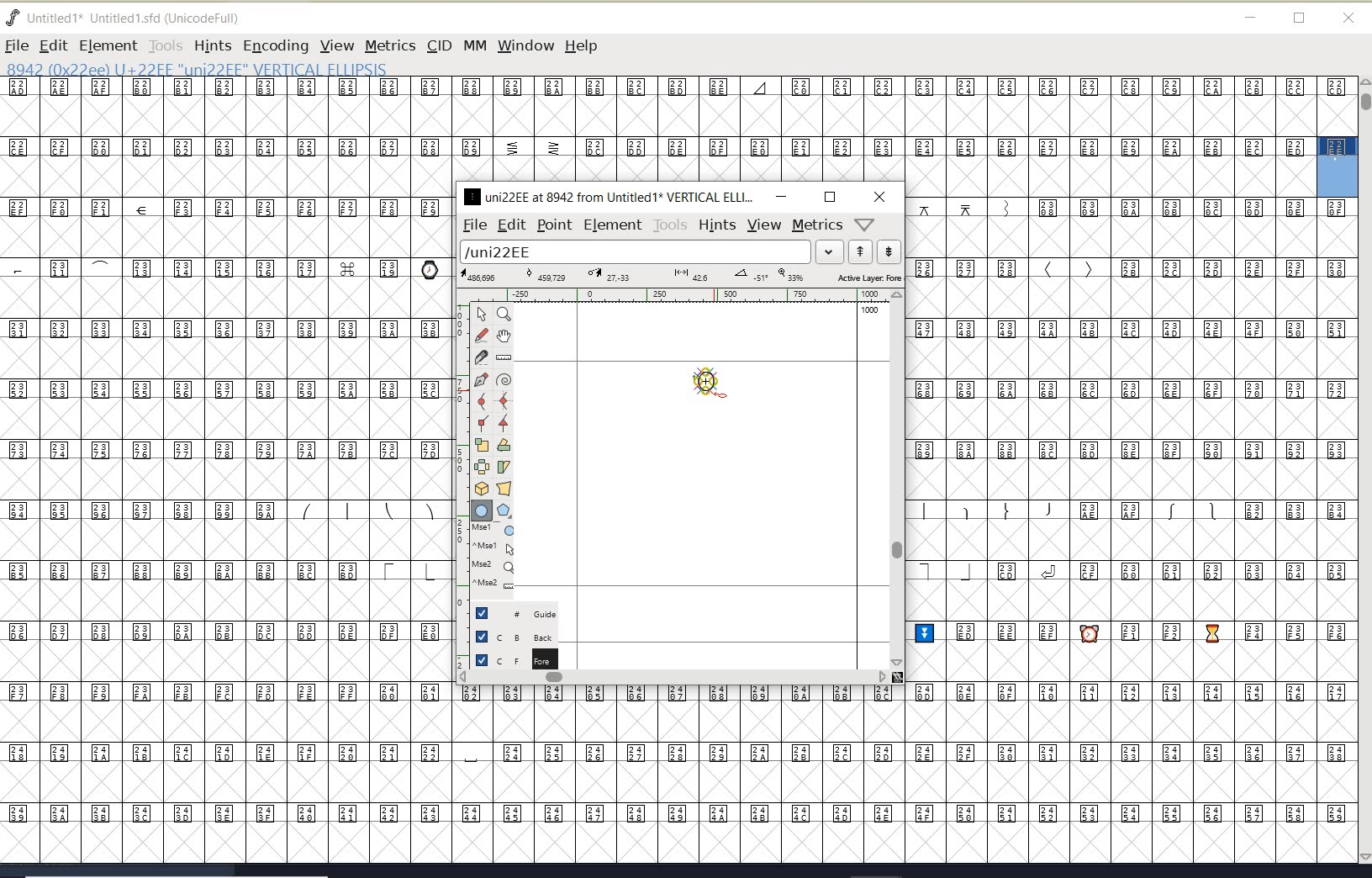 This screenshot has height=878, width=1372. I want to click on add a curve point, so click(485, 401).